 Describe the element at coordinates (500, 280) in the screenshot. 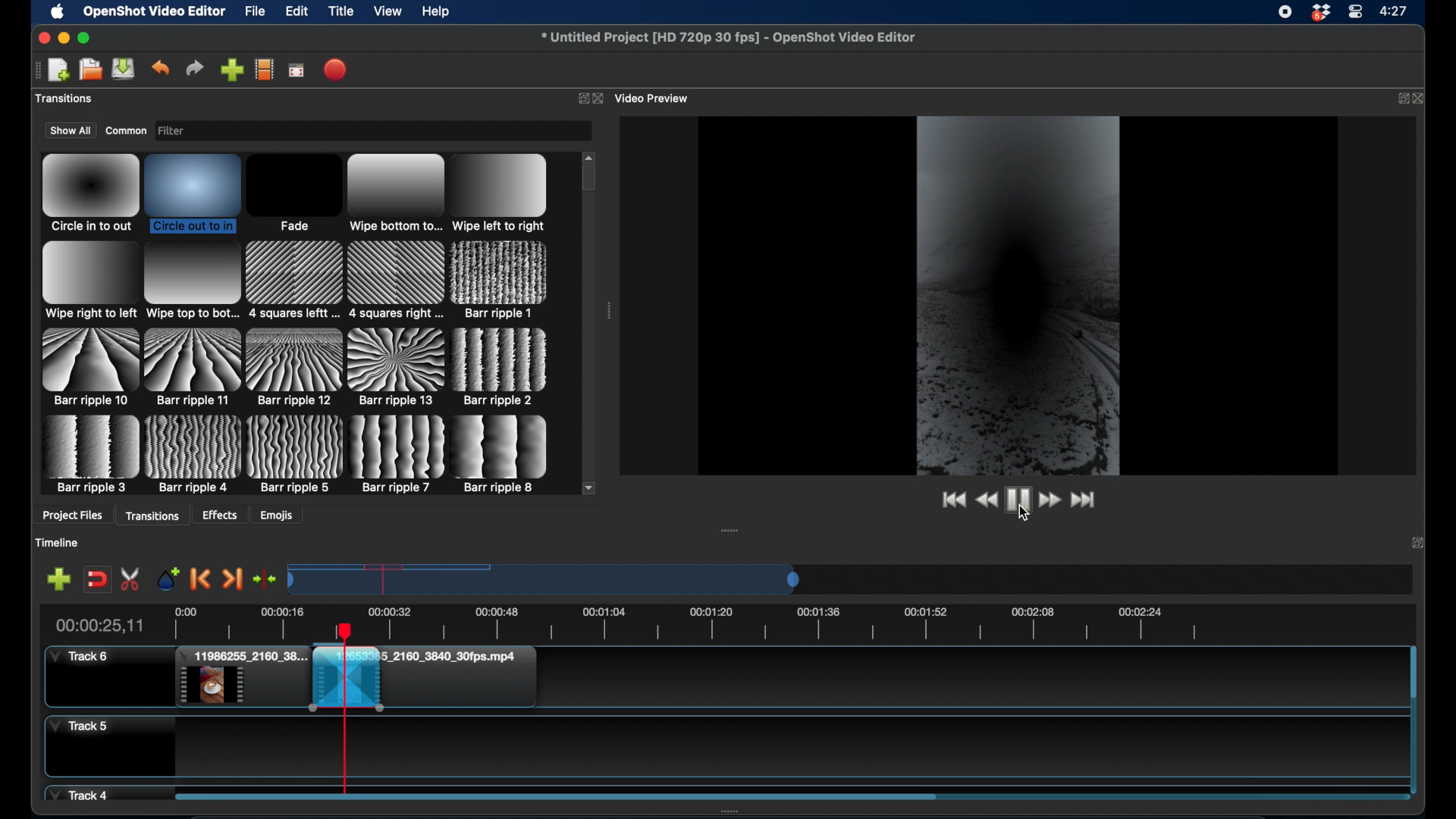

I see `transition` at that location.